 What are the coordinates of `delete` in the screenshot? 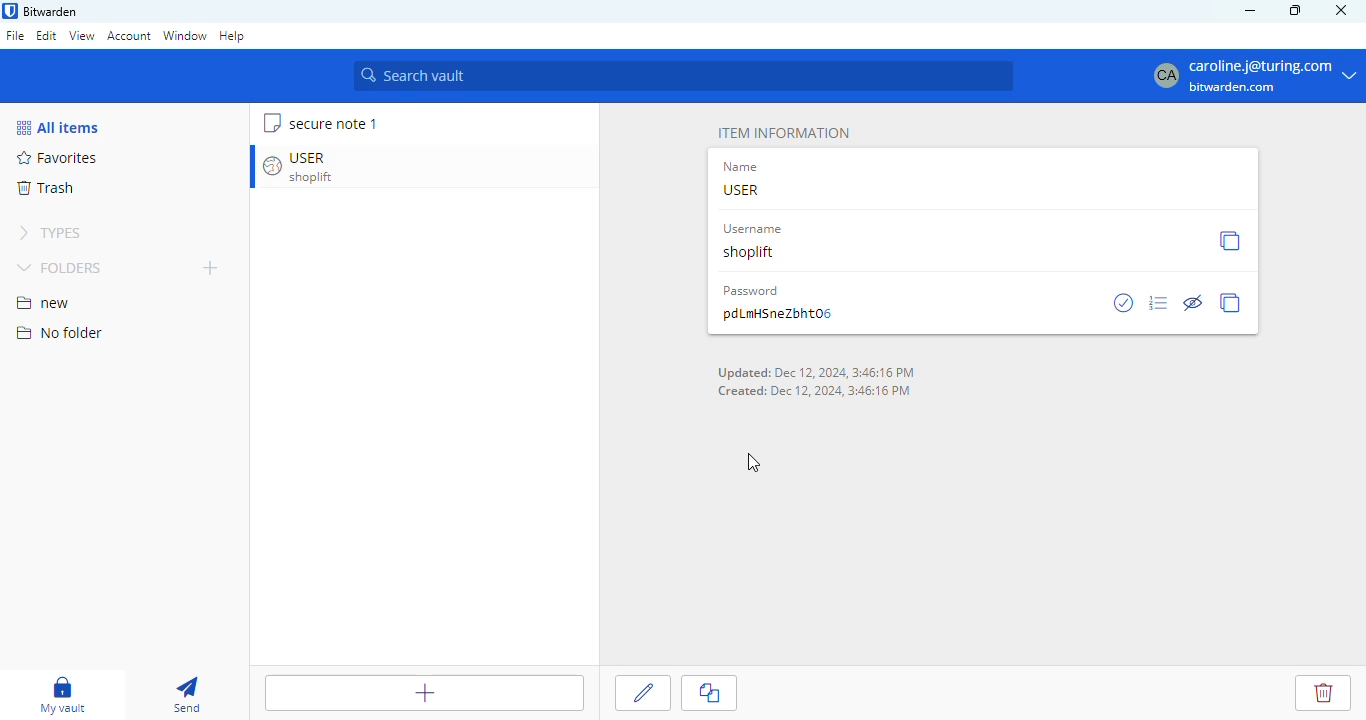 It's located at (1322, 694).